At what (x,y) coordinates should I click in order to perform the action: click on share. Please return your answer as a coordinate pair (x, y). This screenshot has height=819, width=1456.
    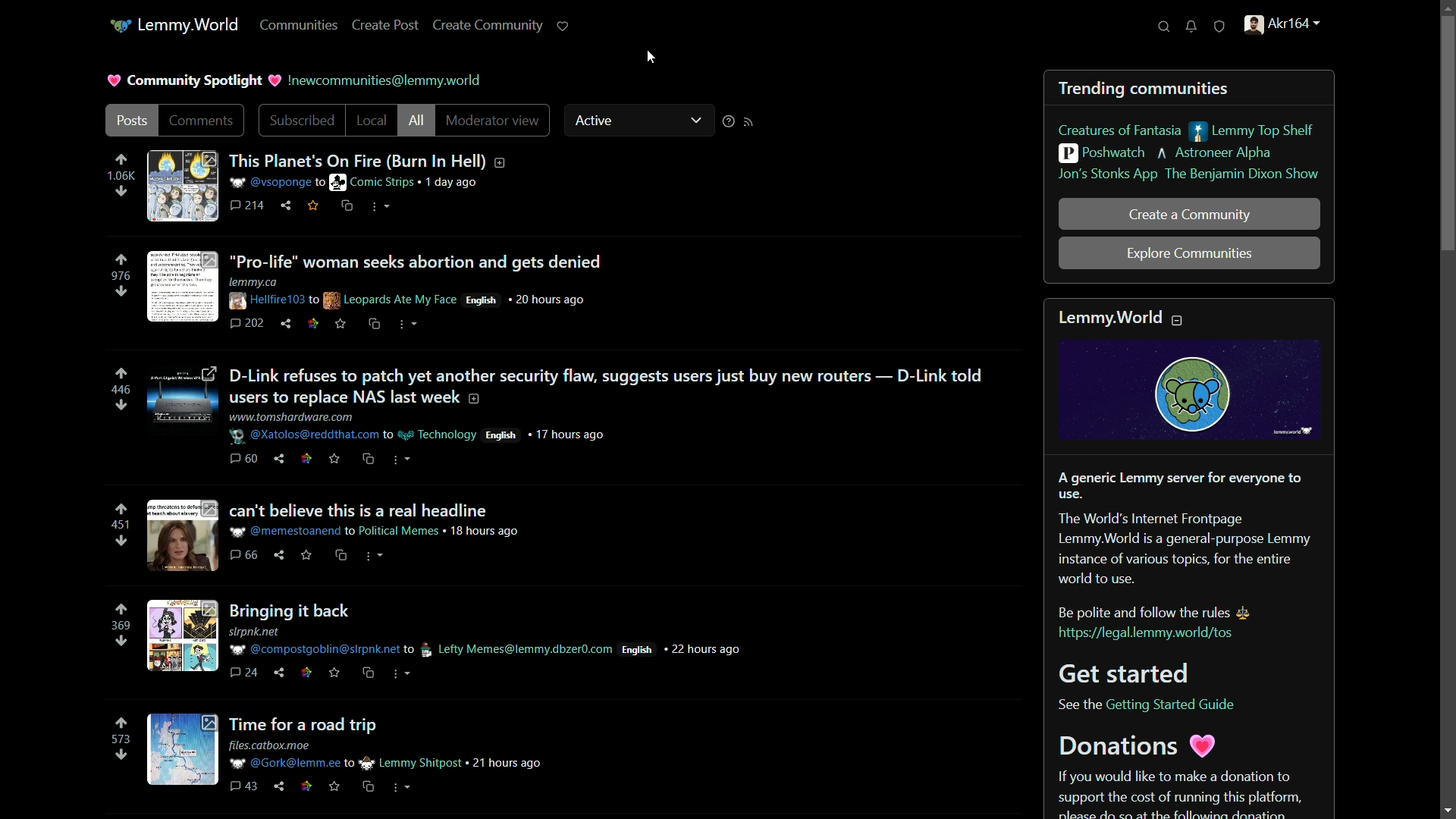
    Looking at the image, I should click on (286, 206).